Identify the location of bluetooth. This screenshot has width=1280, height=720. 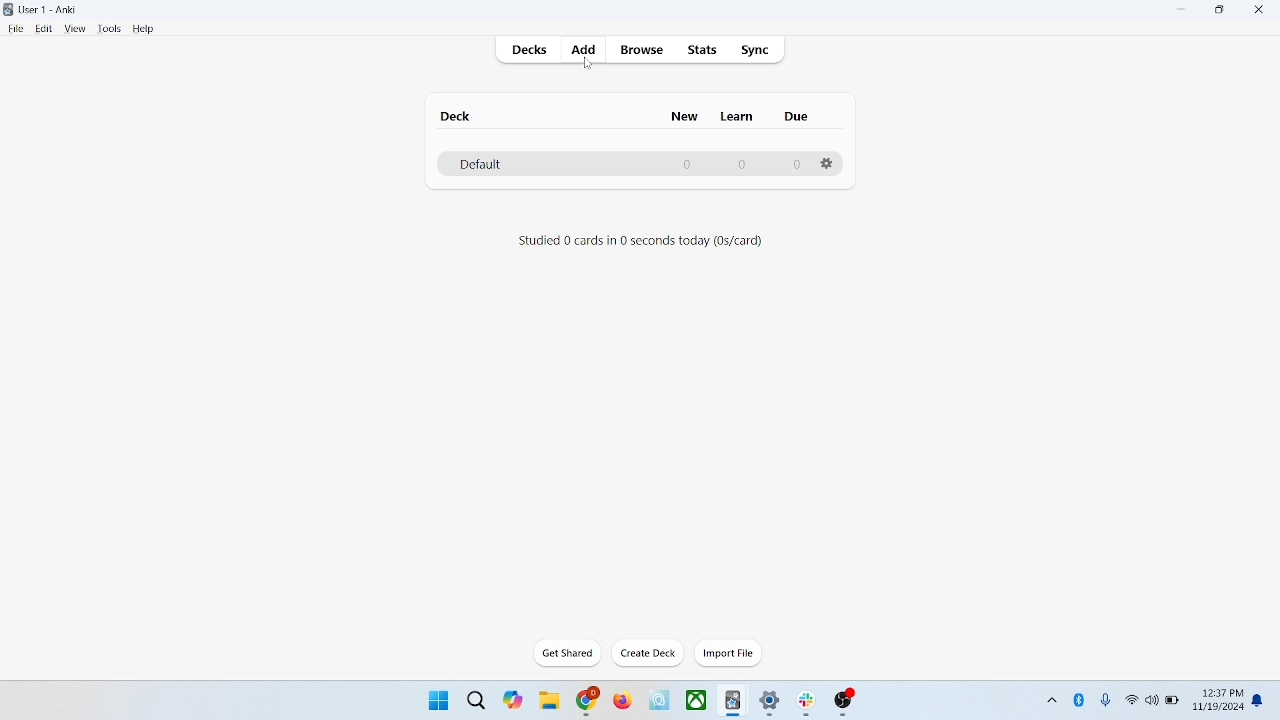
(1080, 699).